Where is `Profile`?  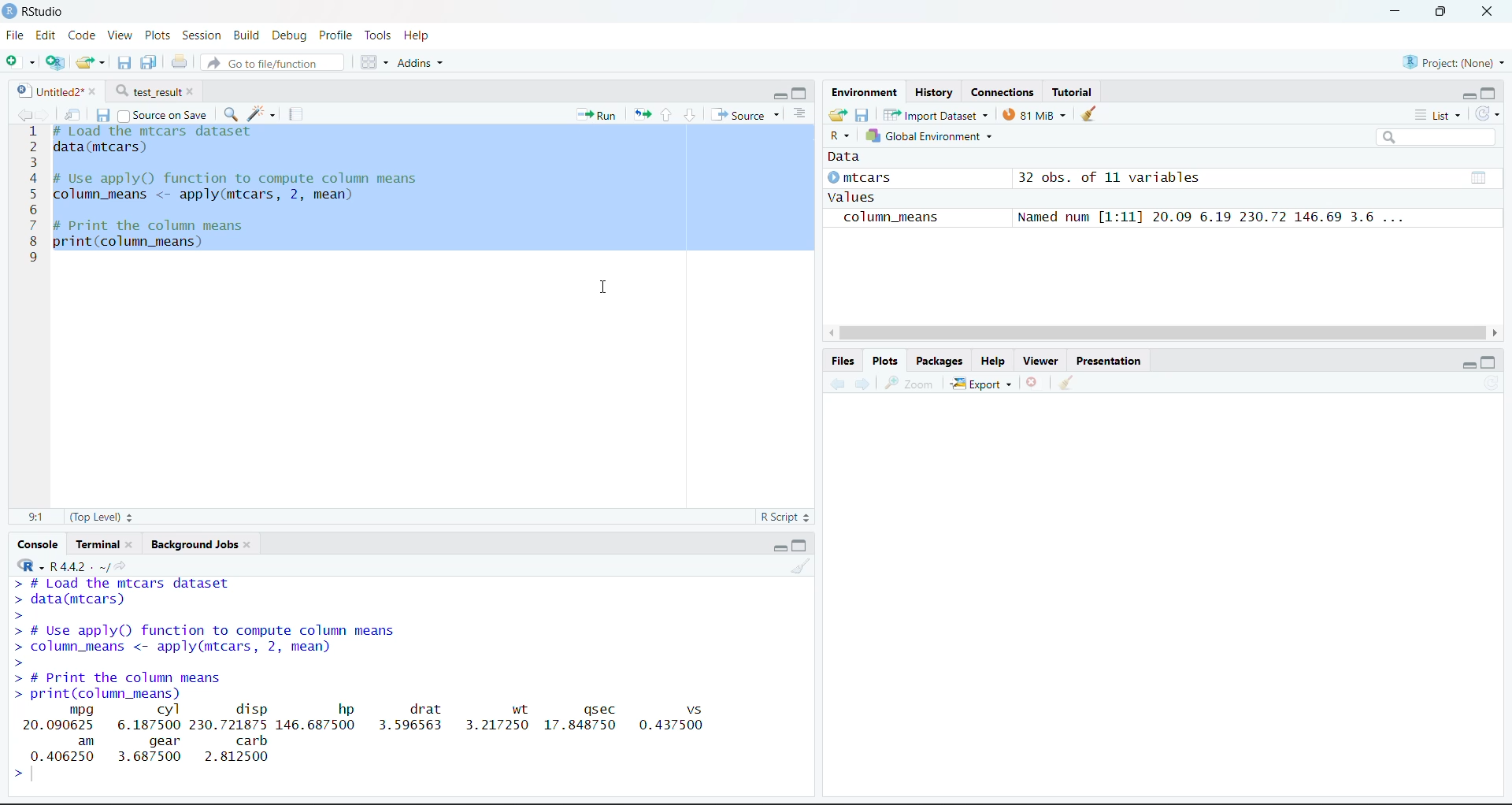 Profile is located at coordinates (338, 34).